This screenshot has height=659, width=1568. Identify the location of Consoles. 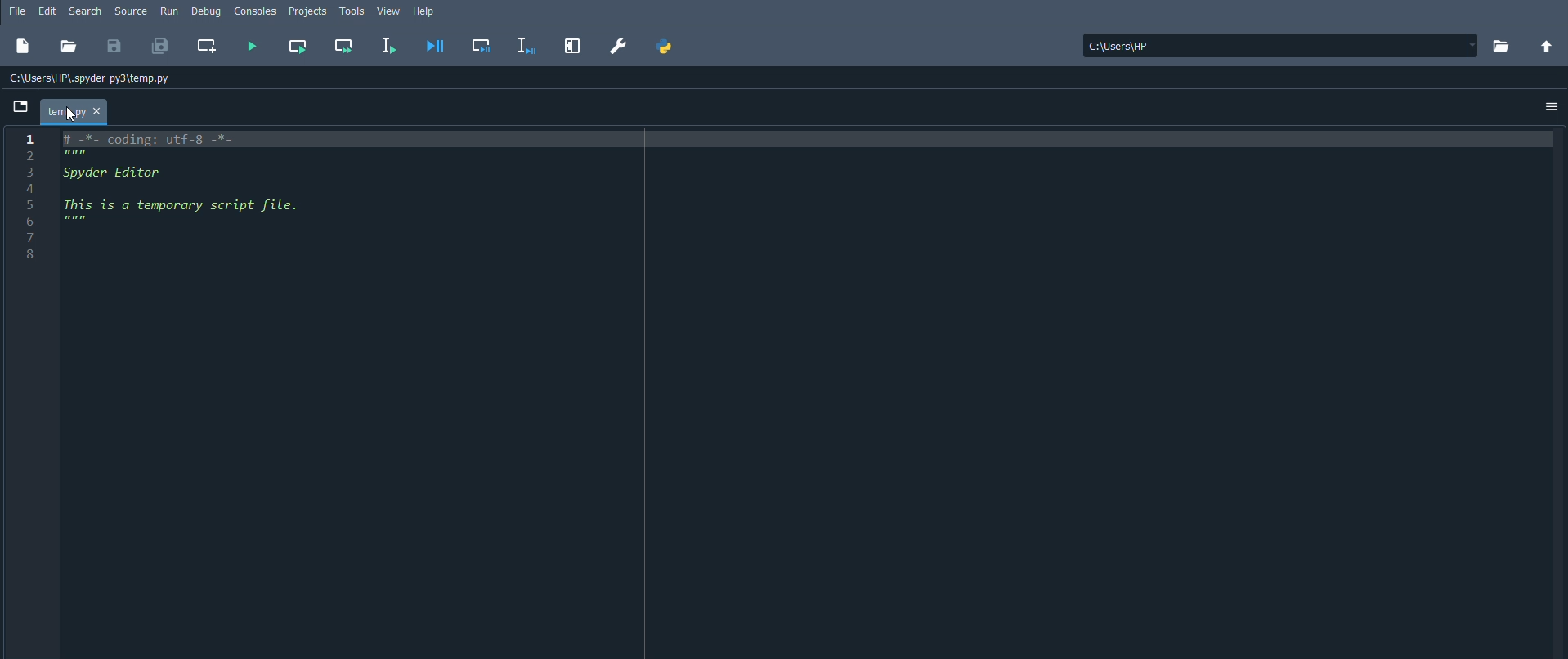
(255, 11).